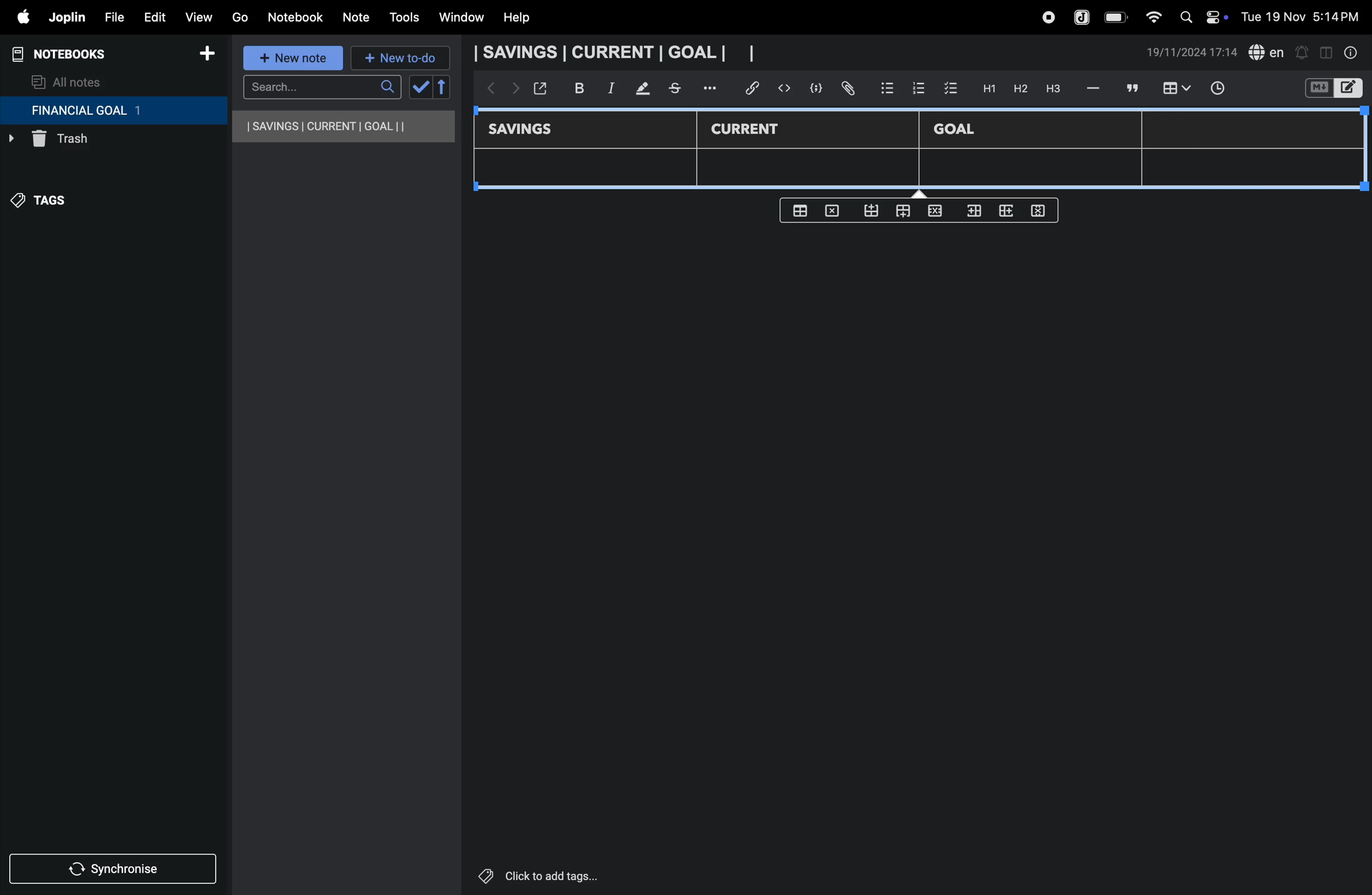  I want to click on help, so click(525, 18).